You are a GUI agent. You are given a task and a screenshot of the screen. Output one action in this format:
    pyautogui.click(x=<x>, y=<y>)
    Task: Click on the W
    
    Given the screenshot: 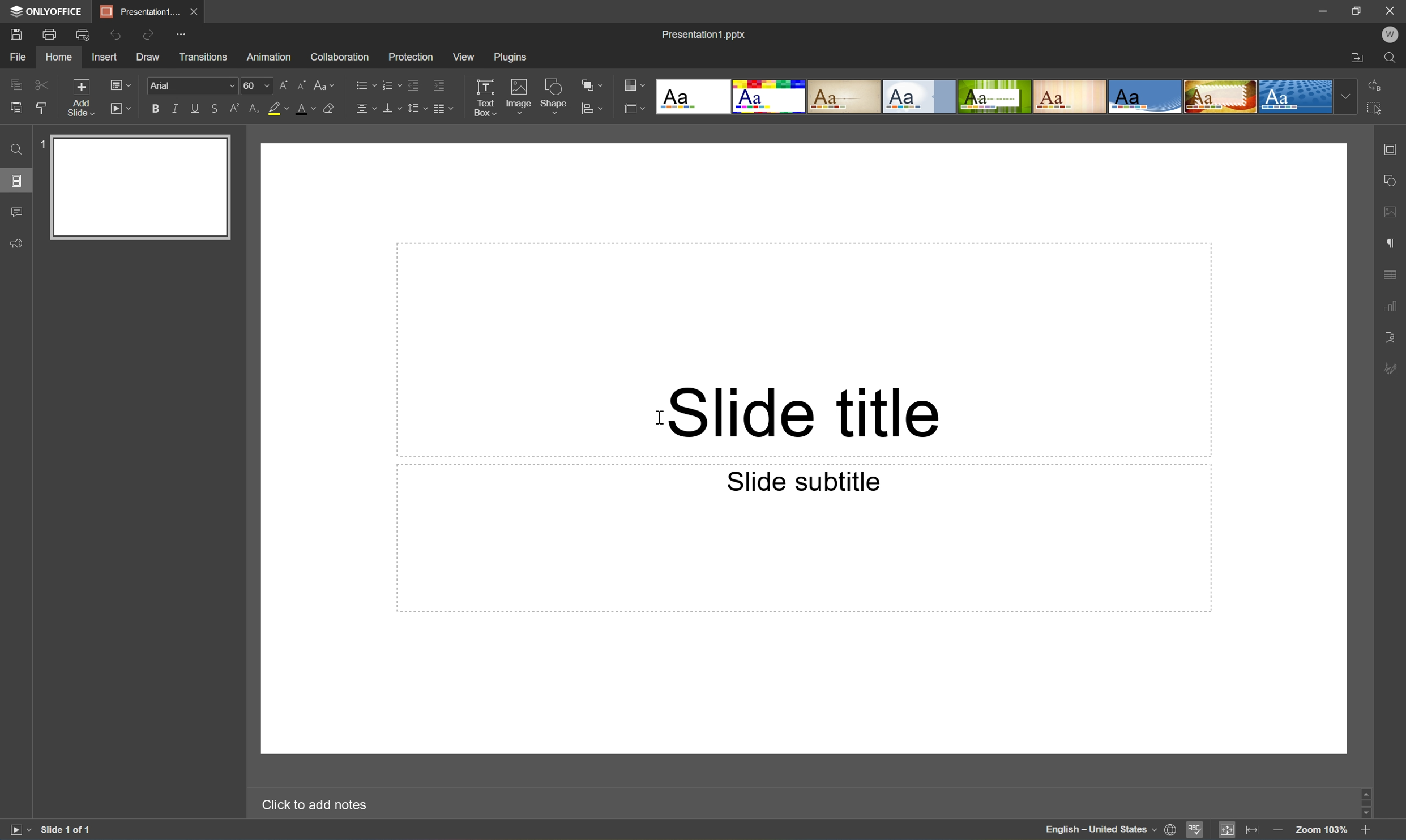 What is the action you would take?
    pyautogui.click(x=1393, y=33)
    